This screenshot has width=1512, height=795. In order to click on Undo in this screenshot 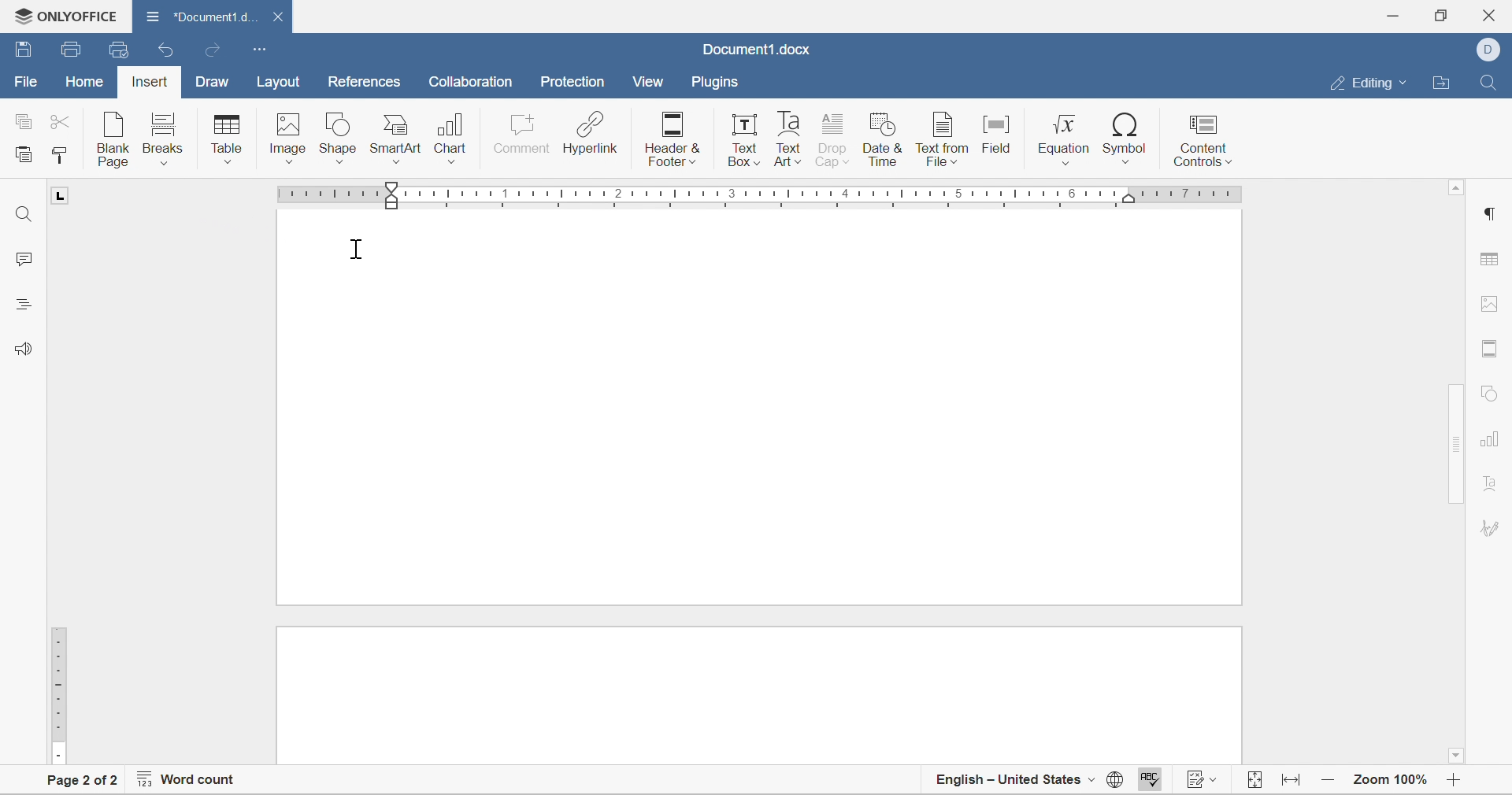, I will do `click(168, 50)`.